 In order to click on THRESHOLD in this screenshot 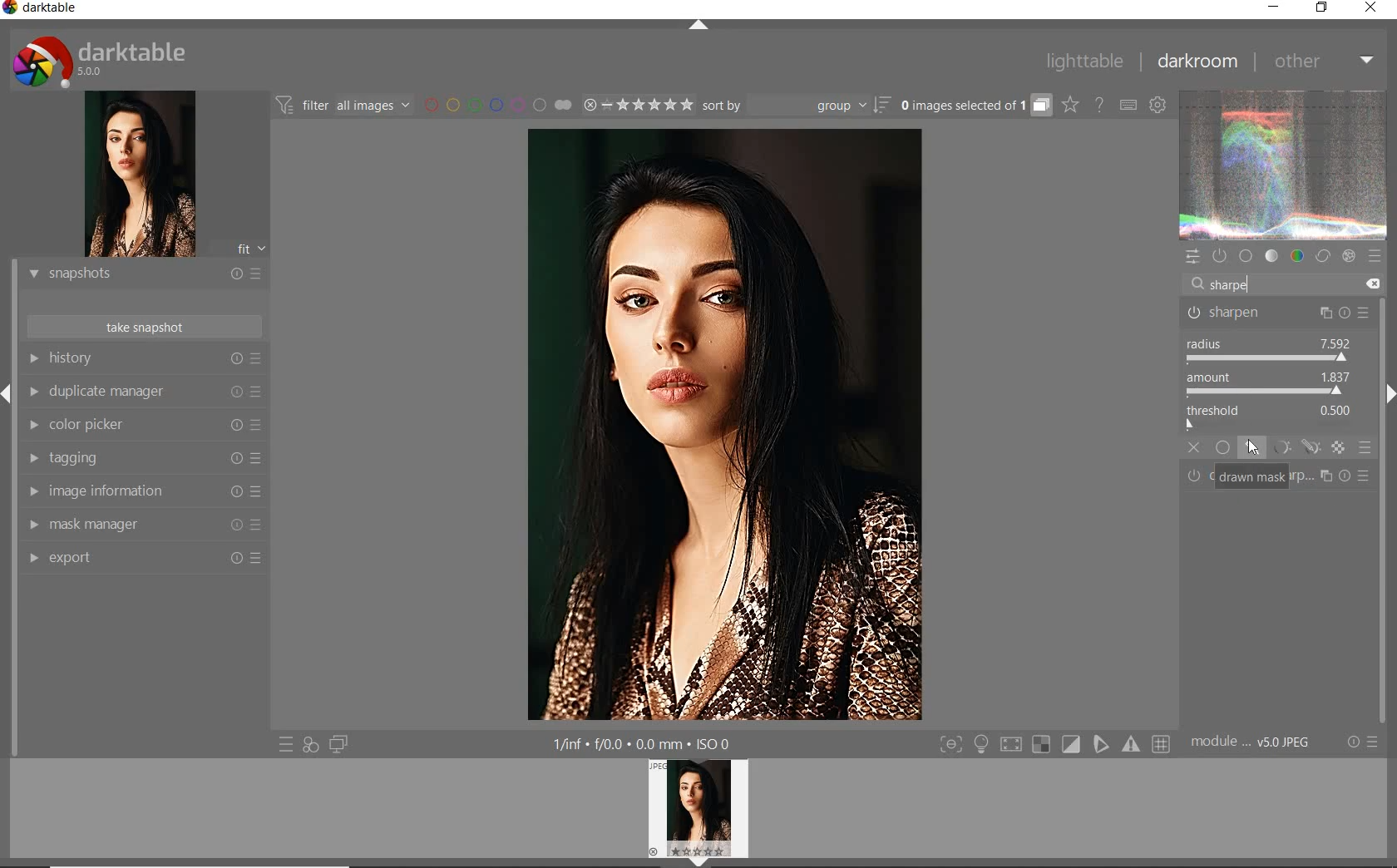, I will do `click(1271, 416)`.